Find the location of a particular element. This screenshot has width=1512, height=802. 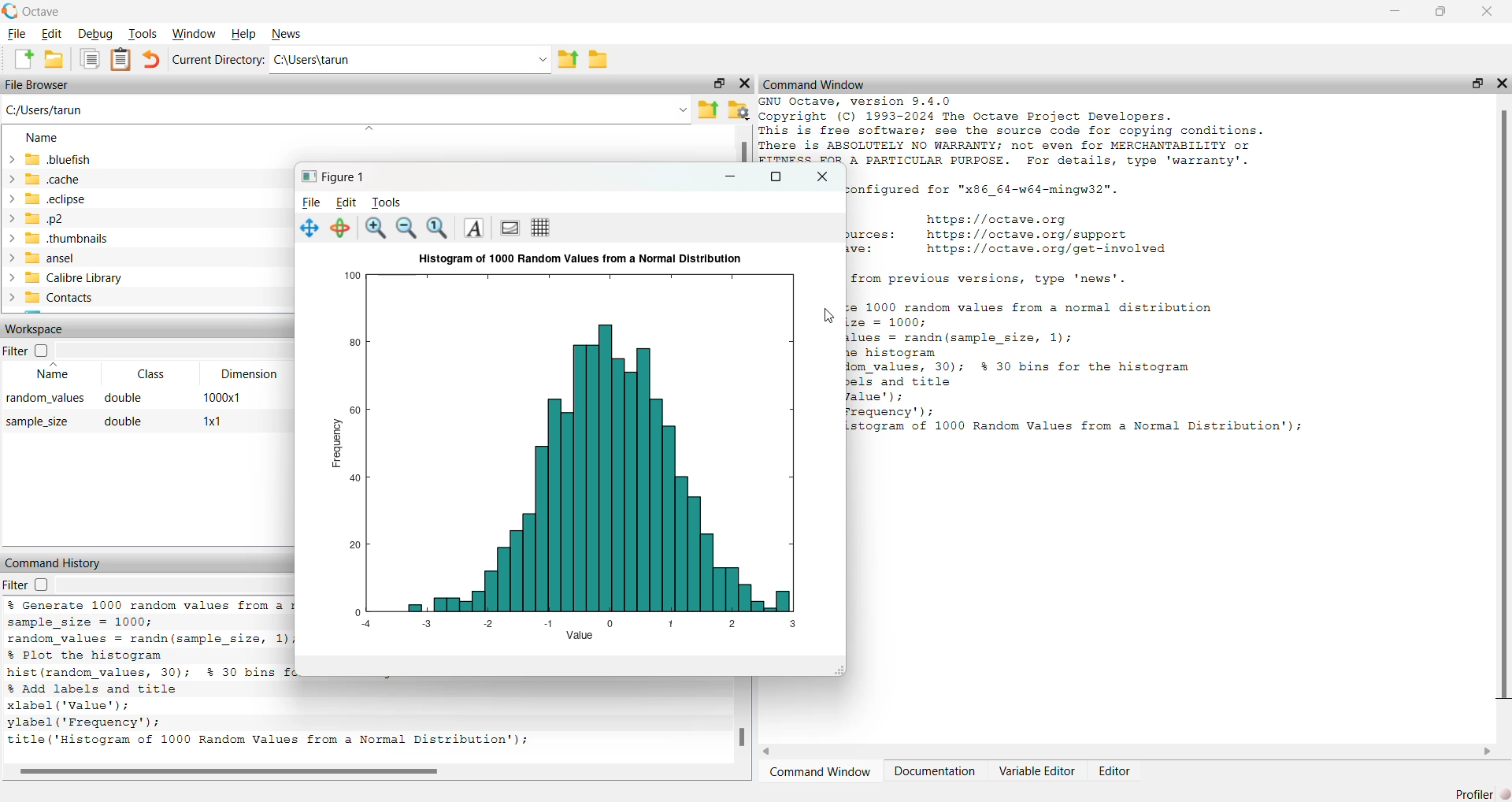

Previous Folder is located at coordinates (709, 110).